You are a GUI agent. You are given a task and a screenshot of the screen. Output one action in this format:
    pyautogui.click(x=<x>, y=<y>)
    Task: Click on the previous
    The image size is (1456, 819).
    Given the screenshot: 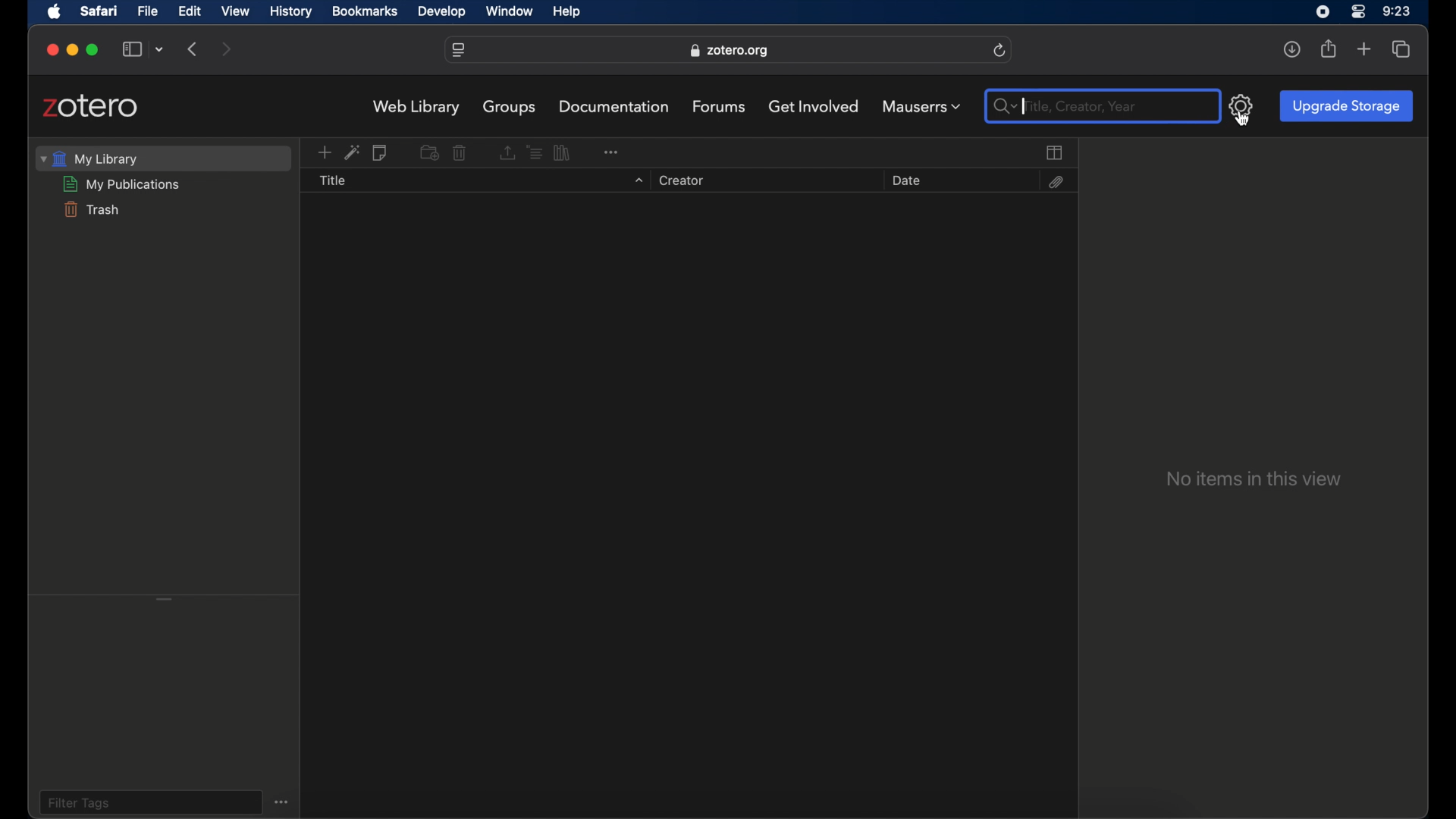 What is the action you would take?
    pyautogui.click(x=194, y=48)
    